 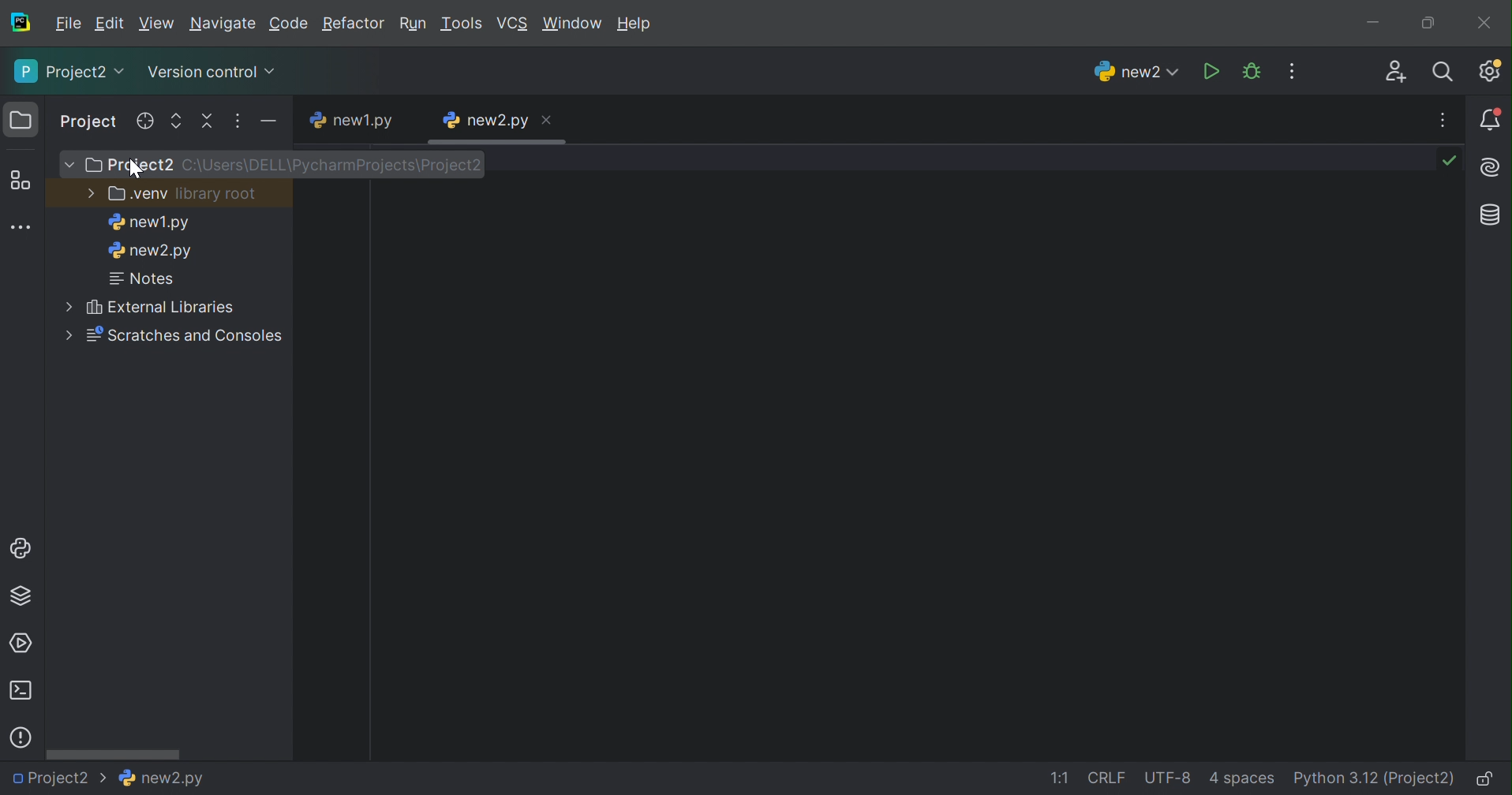 I want to click on Python Console, so click(x=20, y=547).